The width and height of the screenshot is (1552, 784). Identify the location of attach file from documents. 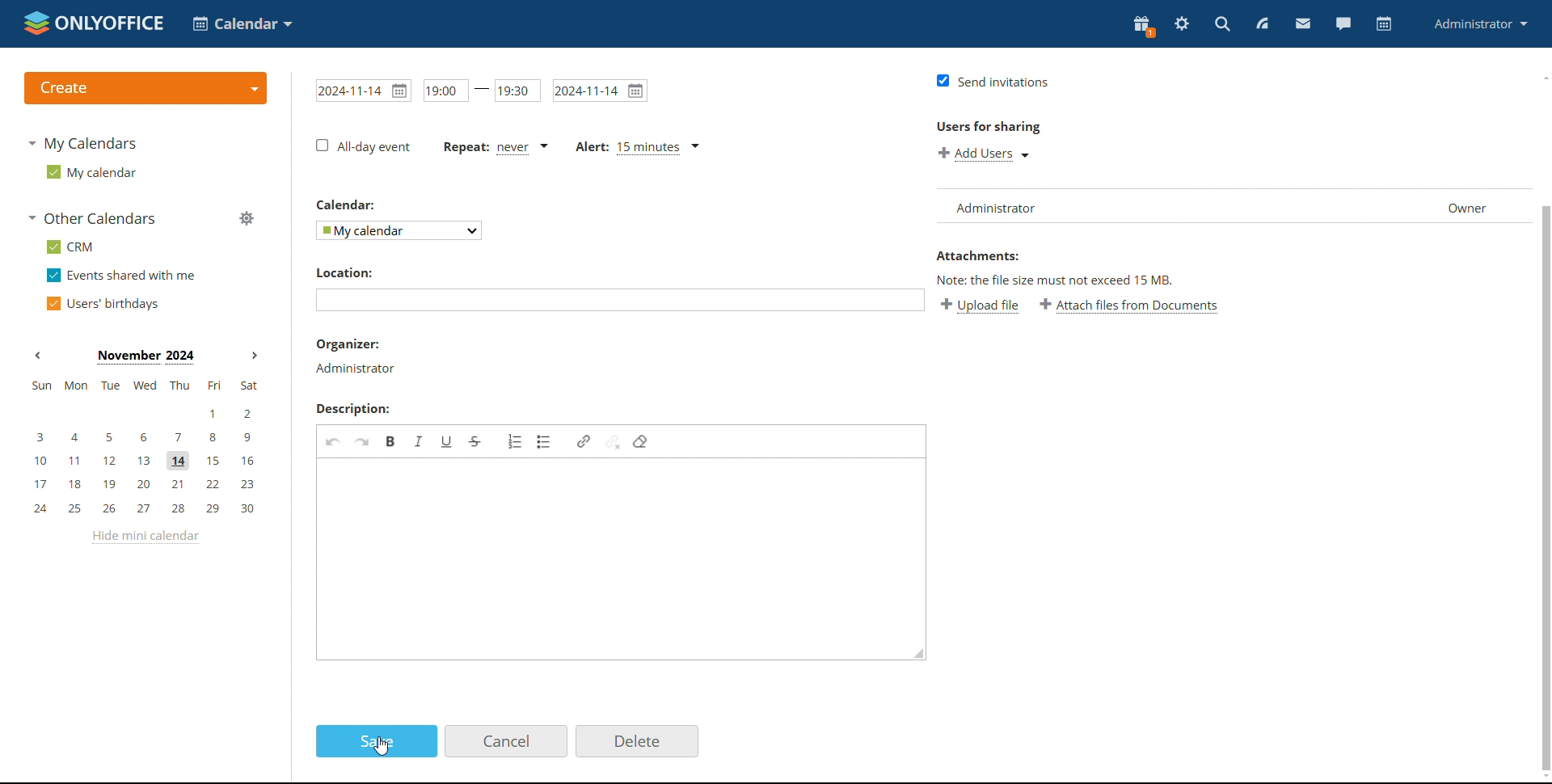
(1125, 308).